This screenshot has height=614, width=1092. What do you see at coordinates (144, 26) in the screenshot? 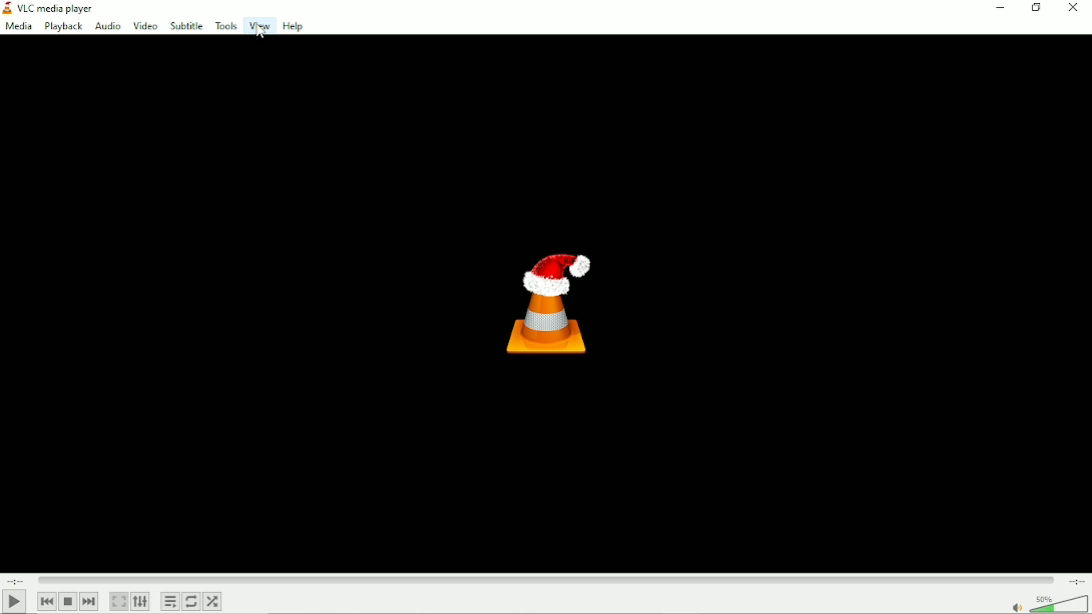
I see `Video` at bounding box center [144, 26].